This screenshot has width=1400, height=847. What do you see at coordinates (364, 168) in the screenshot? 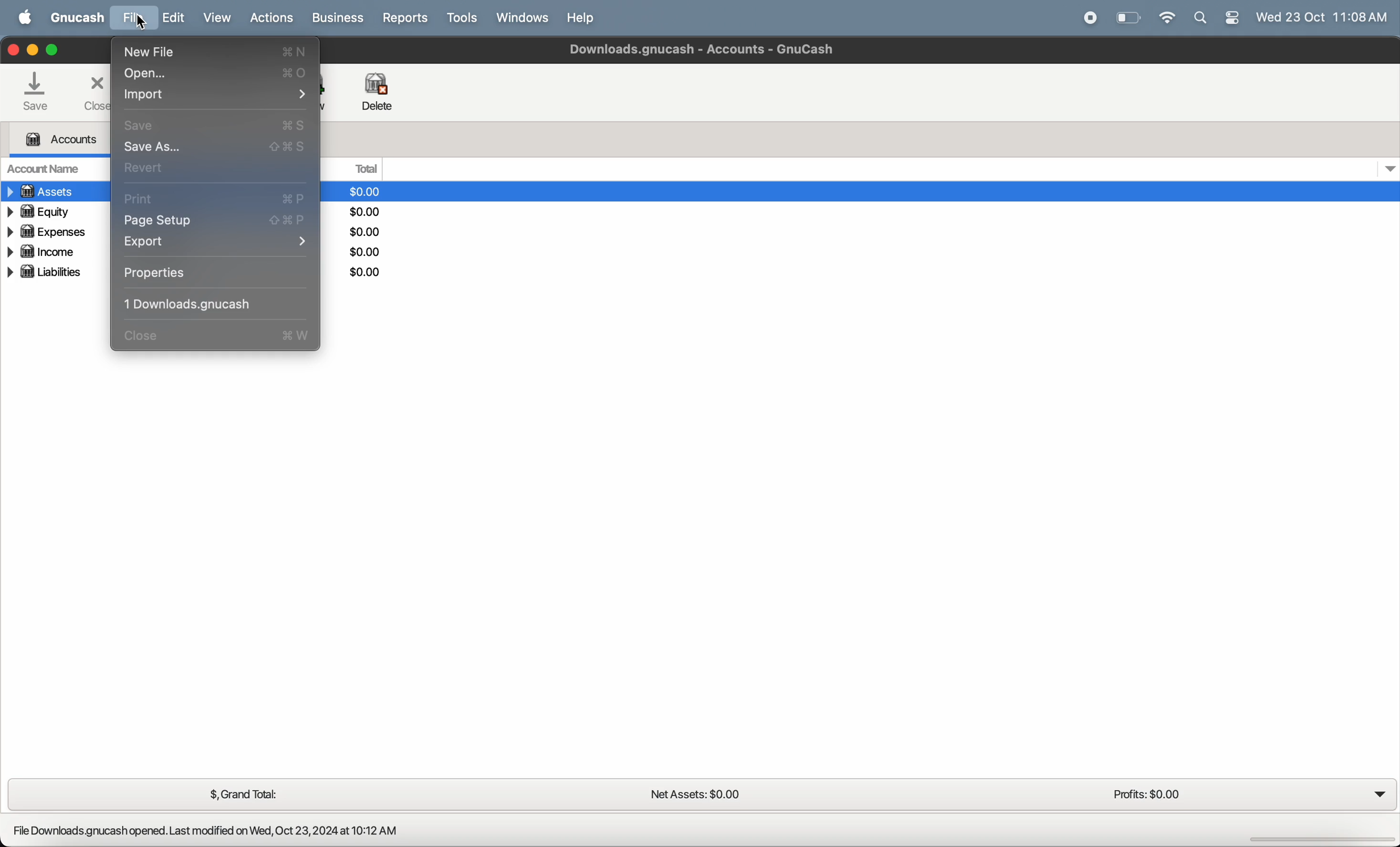
I see `total` at bounding box center [364, 168].